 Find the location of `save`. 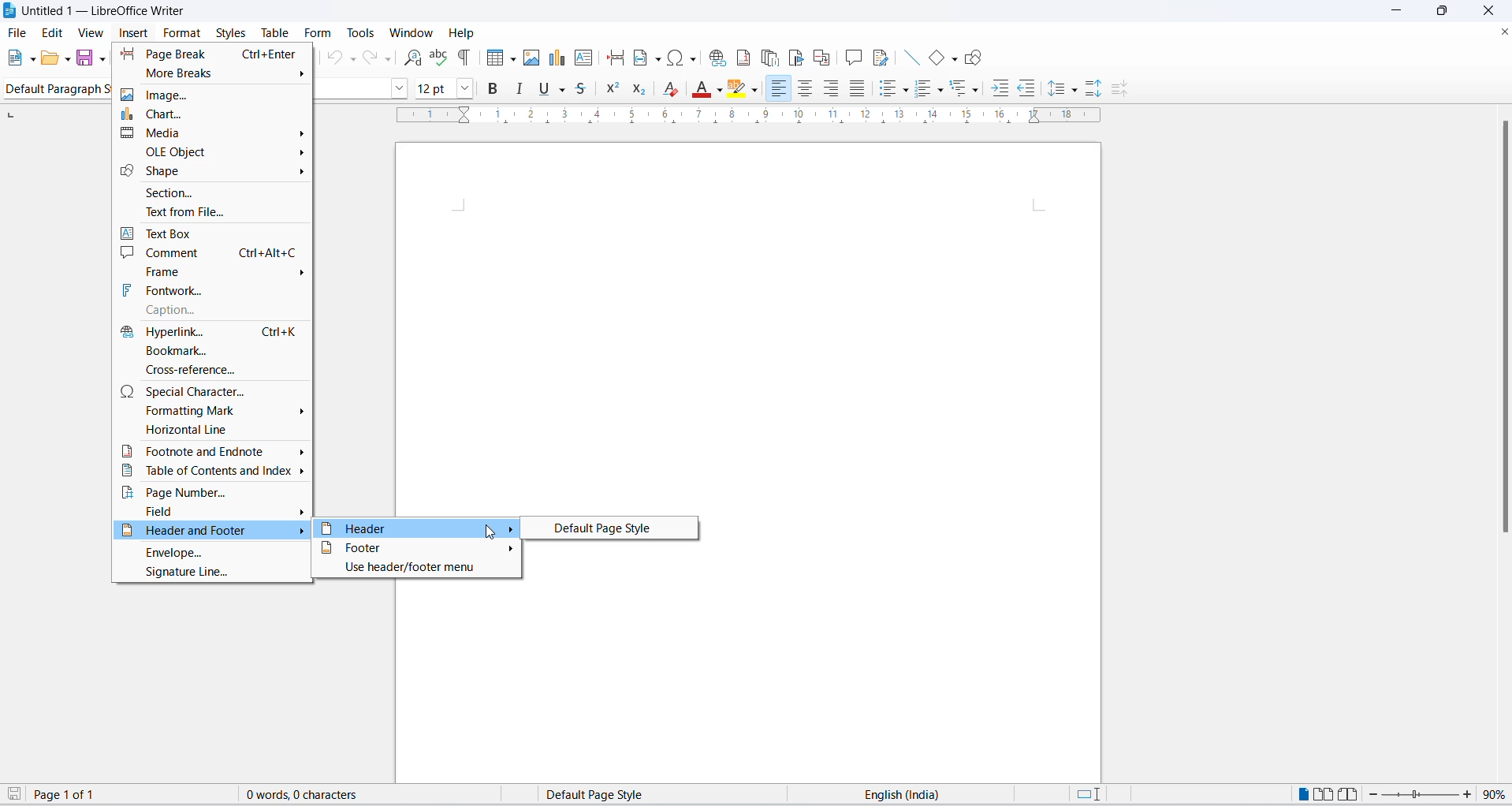

save is located at coordinates (15, 795).